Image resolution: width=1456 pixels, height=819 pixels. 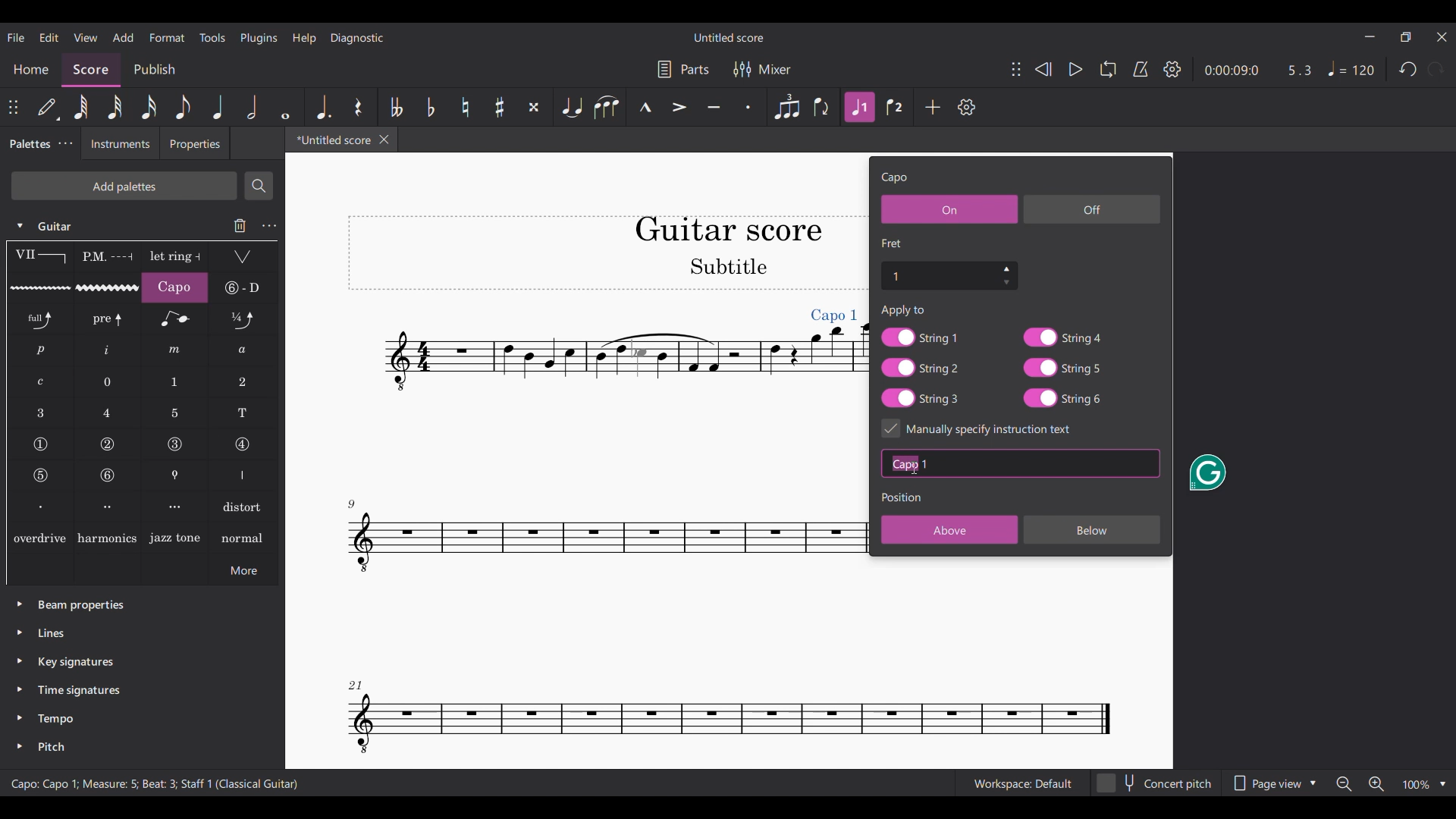 What do you see at coordinates (834, 315) in the screenshot?
I see `Capo added` at bounding box center [834, 315].